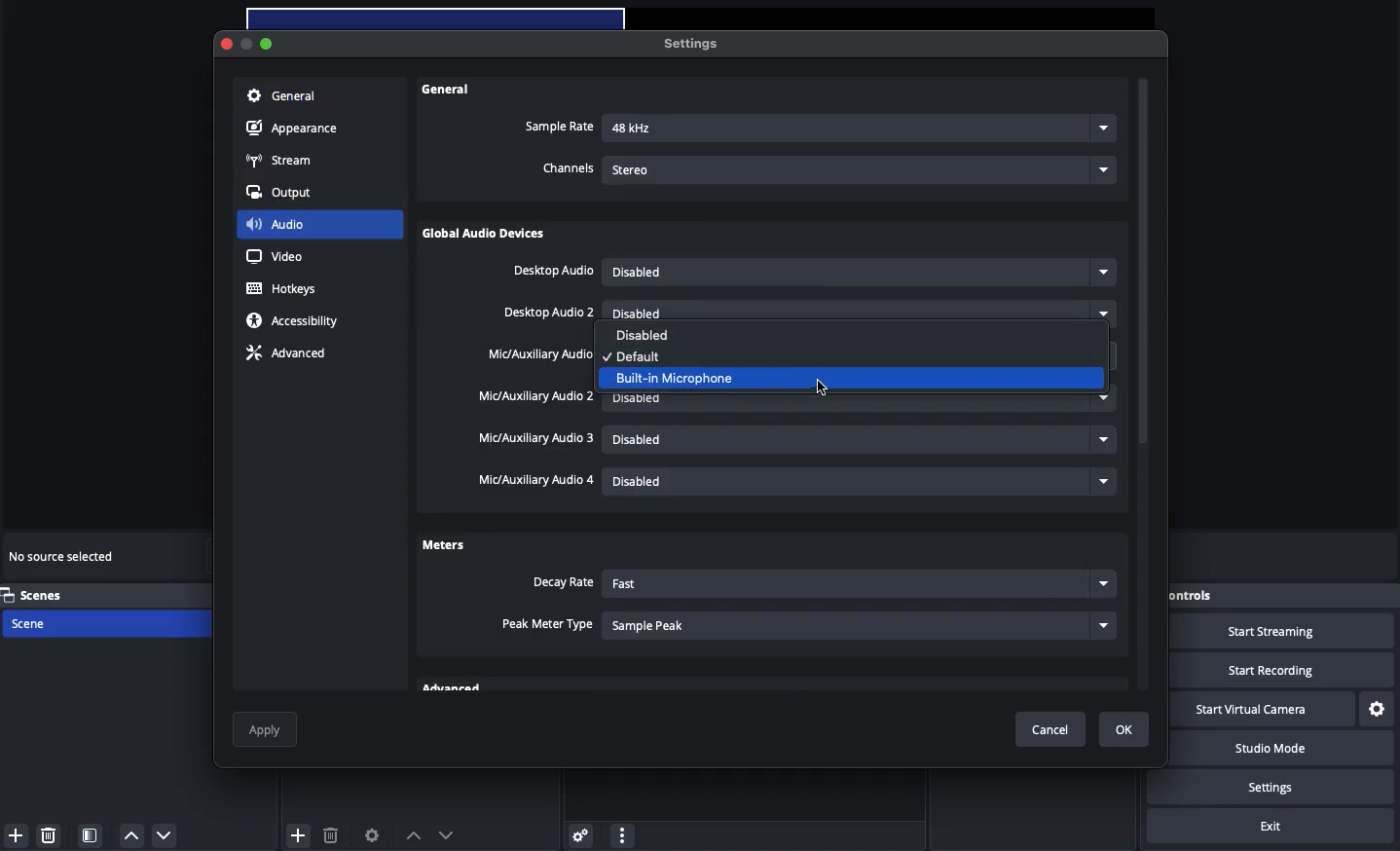  I want to click on 48, so click(861, 129).